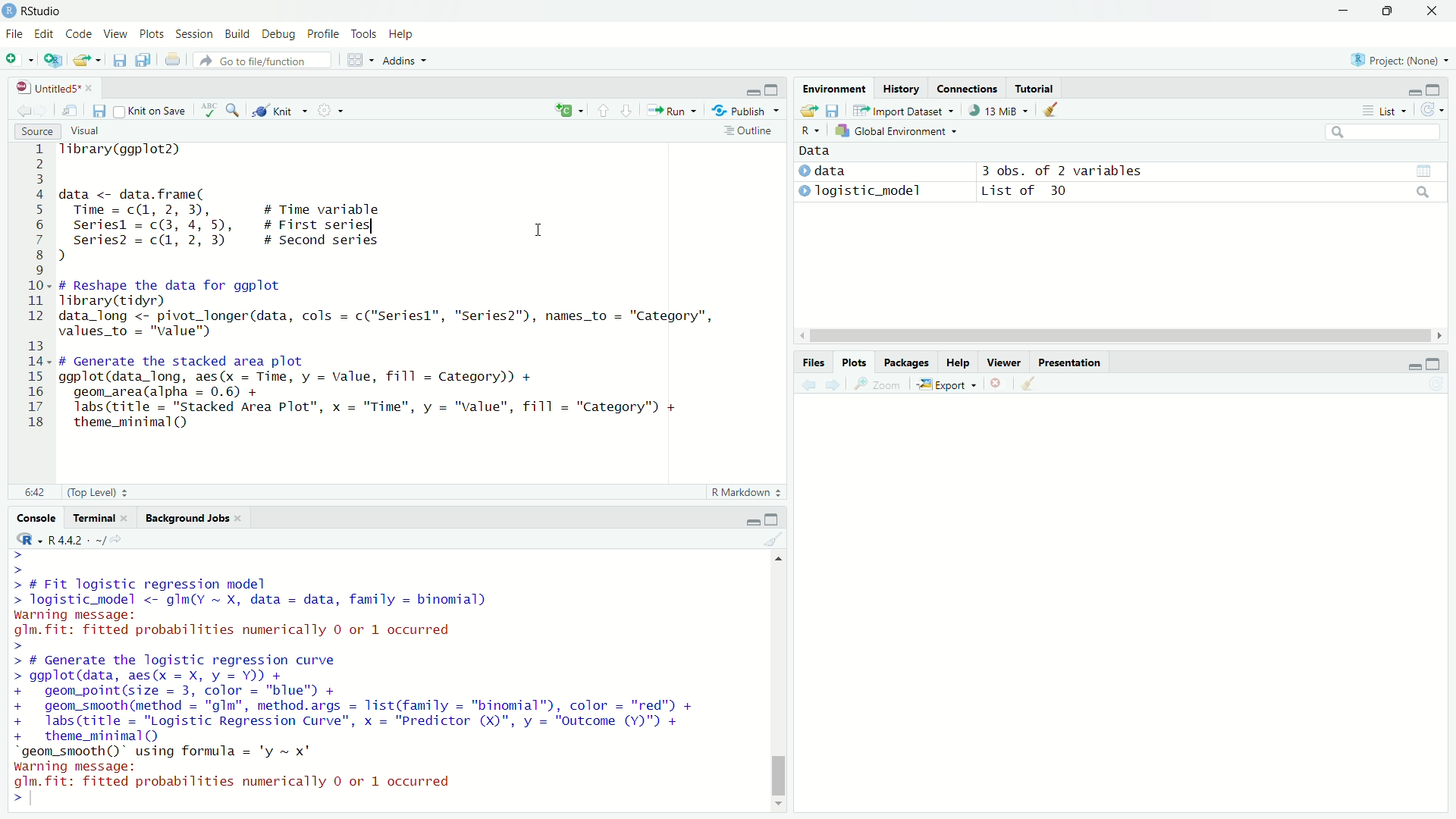  Describe the element at coordinates (44, 33) in the screenshot. I see `Edit` at that location.